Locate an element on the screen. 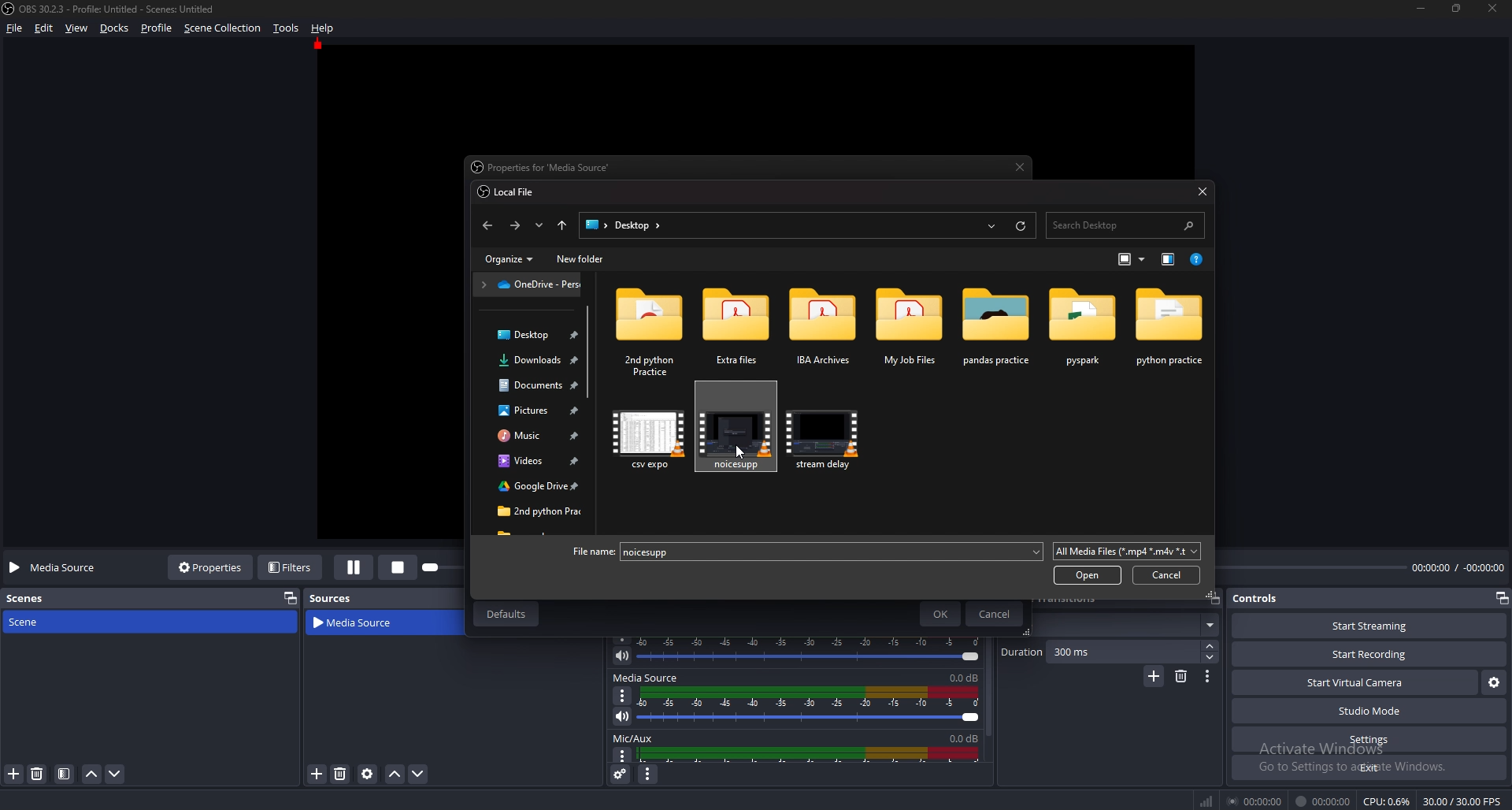  folder is located at coordinates (535, 437).